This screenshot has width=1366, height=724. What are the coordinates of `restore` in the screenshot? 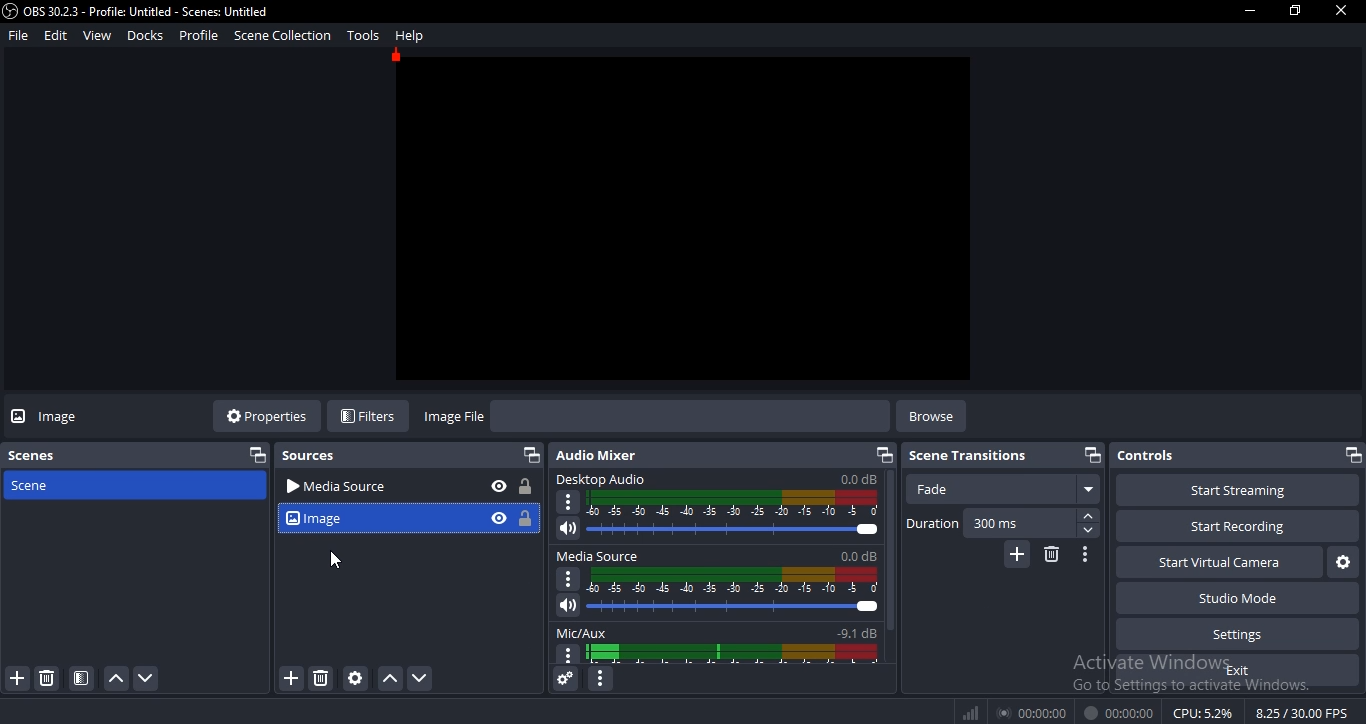 It's located at (528, 454).